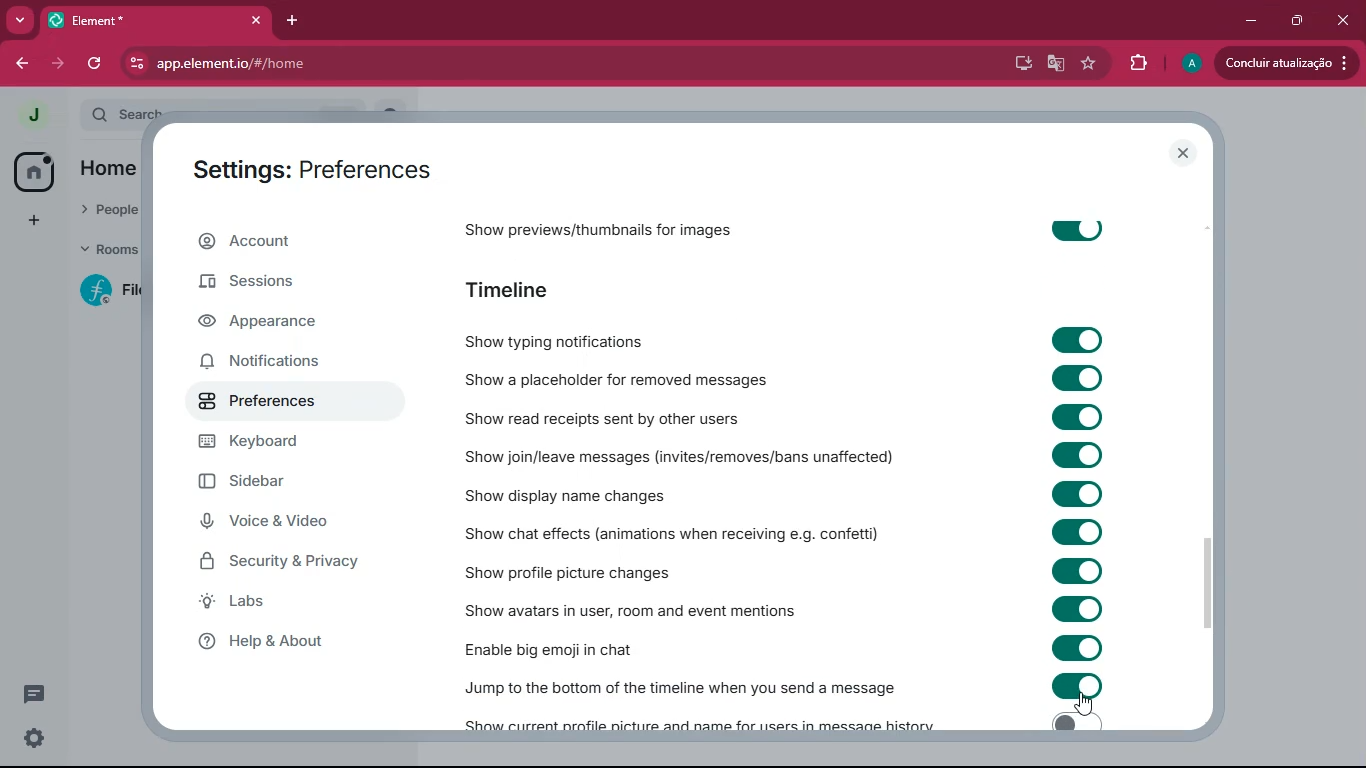 This screenshot has height=768, width=1366. What do you see at coordinates (254, 20) in the screenshot?
I see `close` at bounding box center [254, 20].